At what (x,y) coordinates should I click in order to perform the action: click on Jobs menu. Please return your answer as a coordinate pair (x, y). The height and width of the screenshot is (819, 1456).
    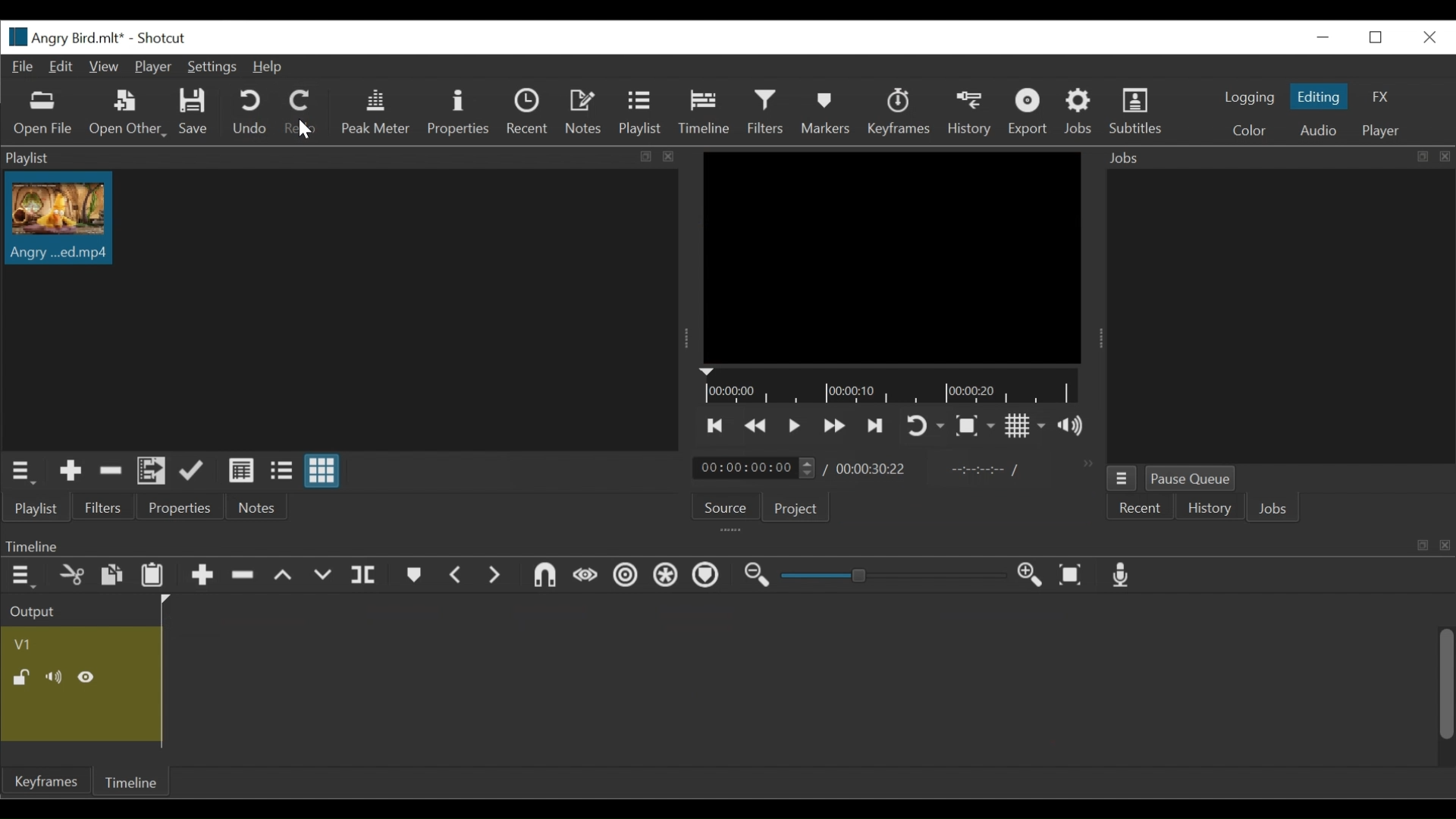
    Looking at the image, I should click on (1122, 478).